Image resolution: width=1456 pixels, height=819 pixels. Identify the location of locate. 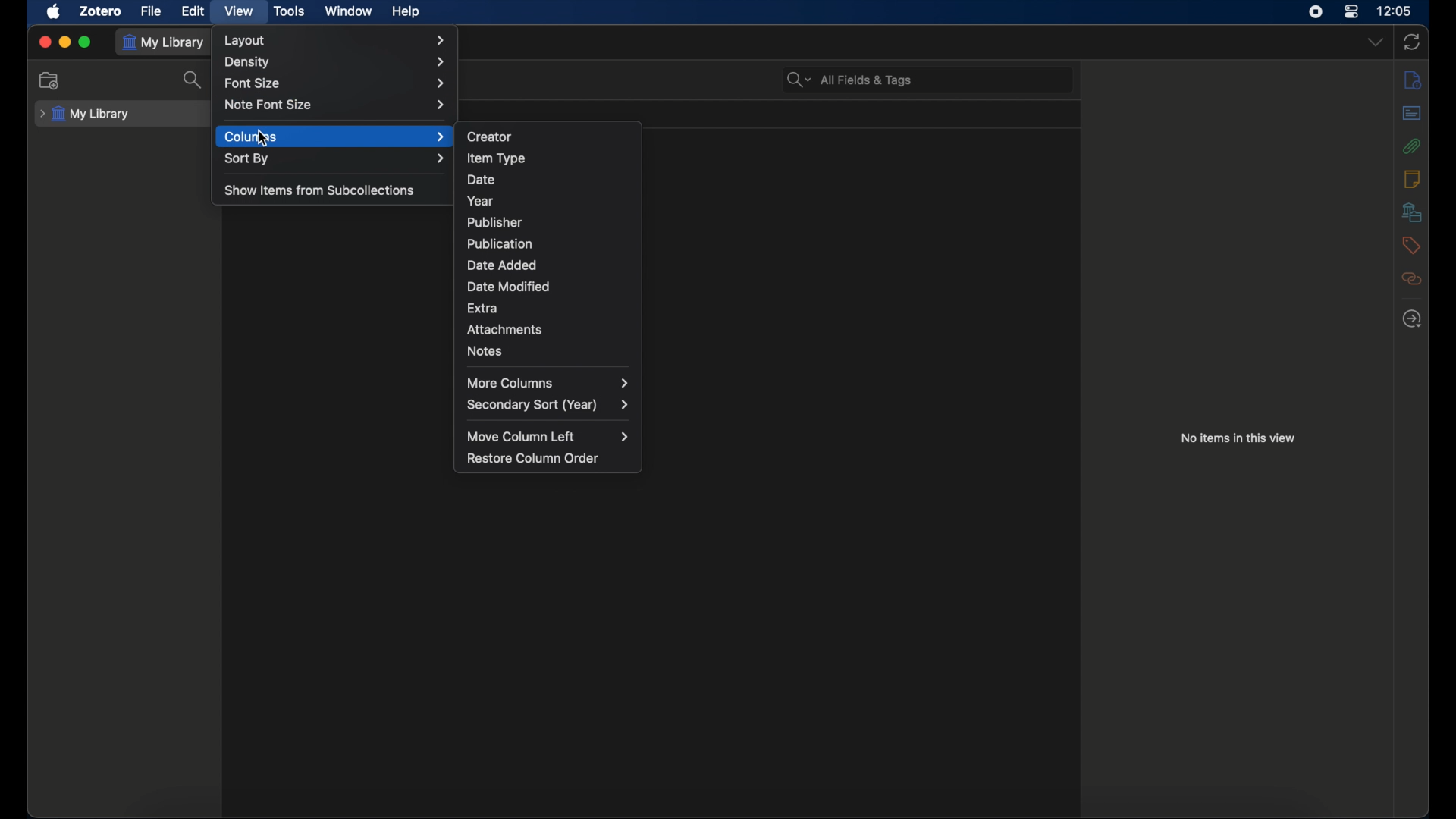
(1411, 320).